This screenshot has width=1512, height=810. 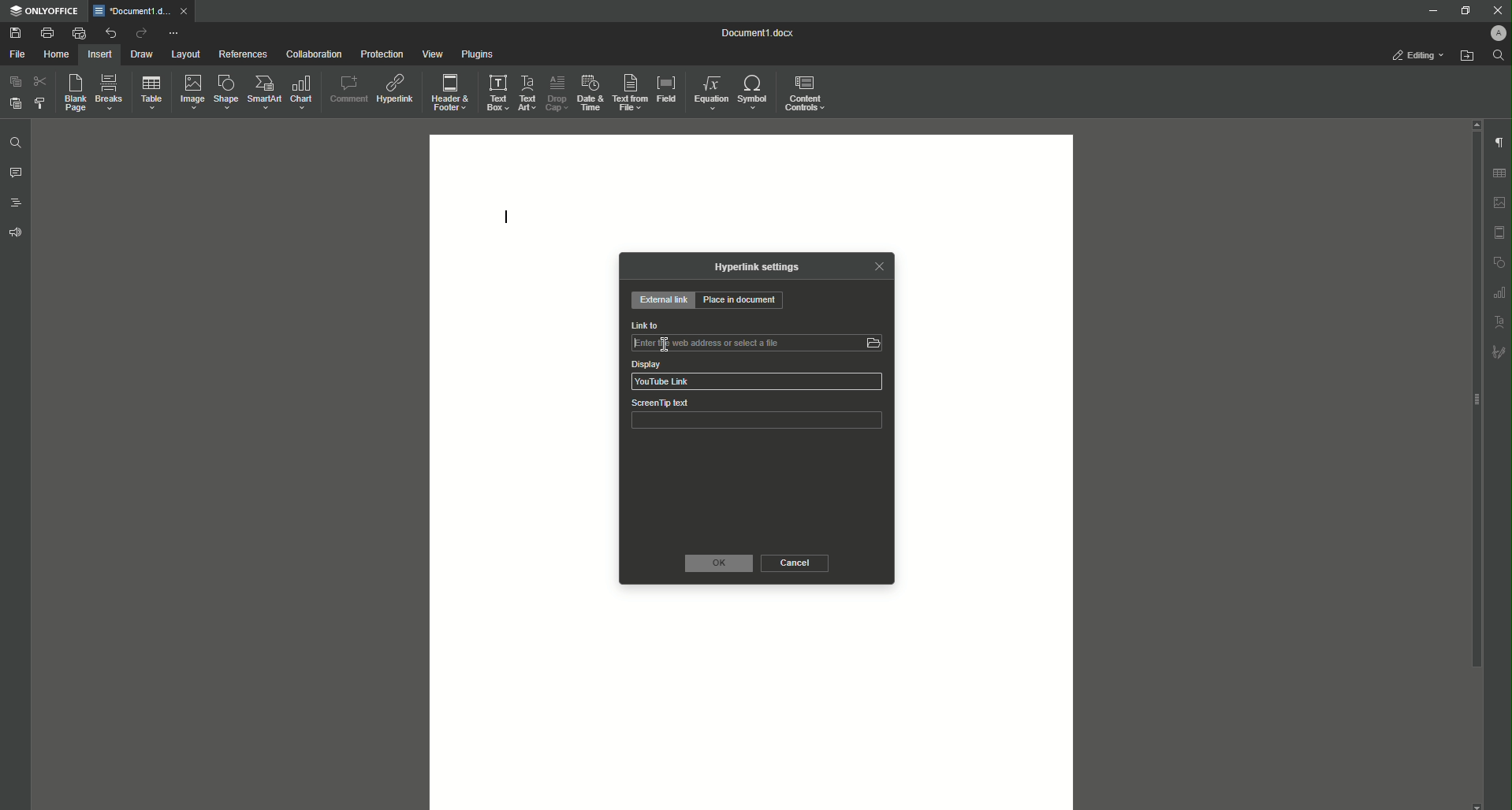 What do you see at coordinates (225, 91) in the screenshot?
I see `Shape` at bounding box center [225, 91].